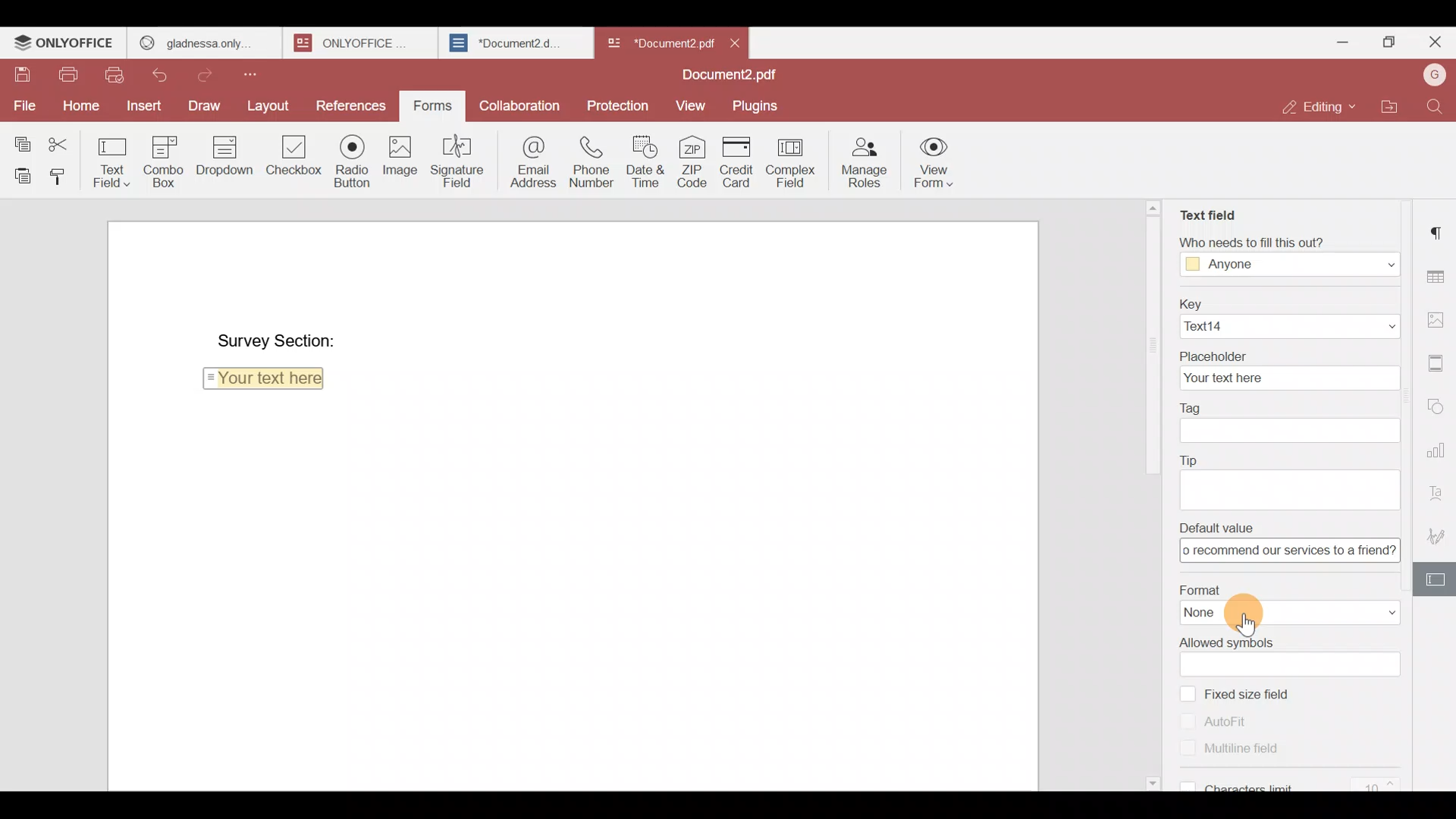 The height and width of the screenshot is (819, 1456). Describe the element at coordinates (161, 161) in the screenshot. I see `Combo box` at that location.